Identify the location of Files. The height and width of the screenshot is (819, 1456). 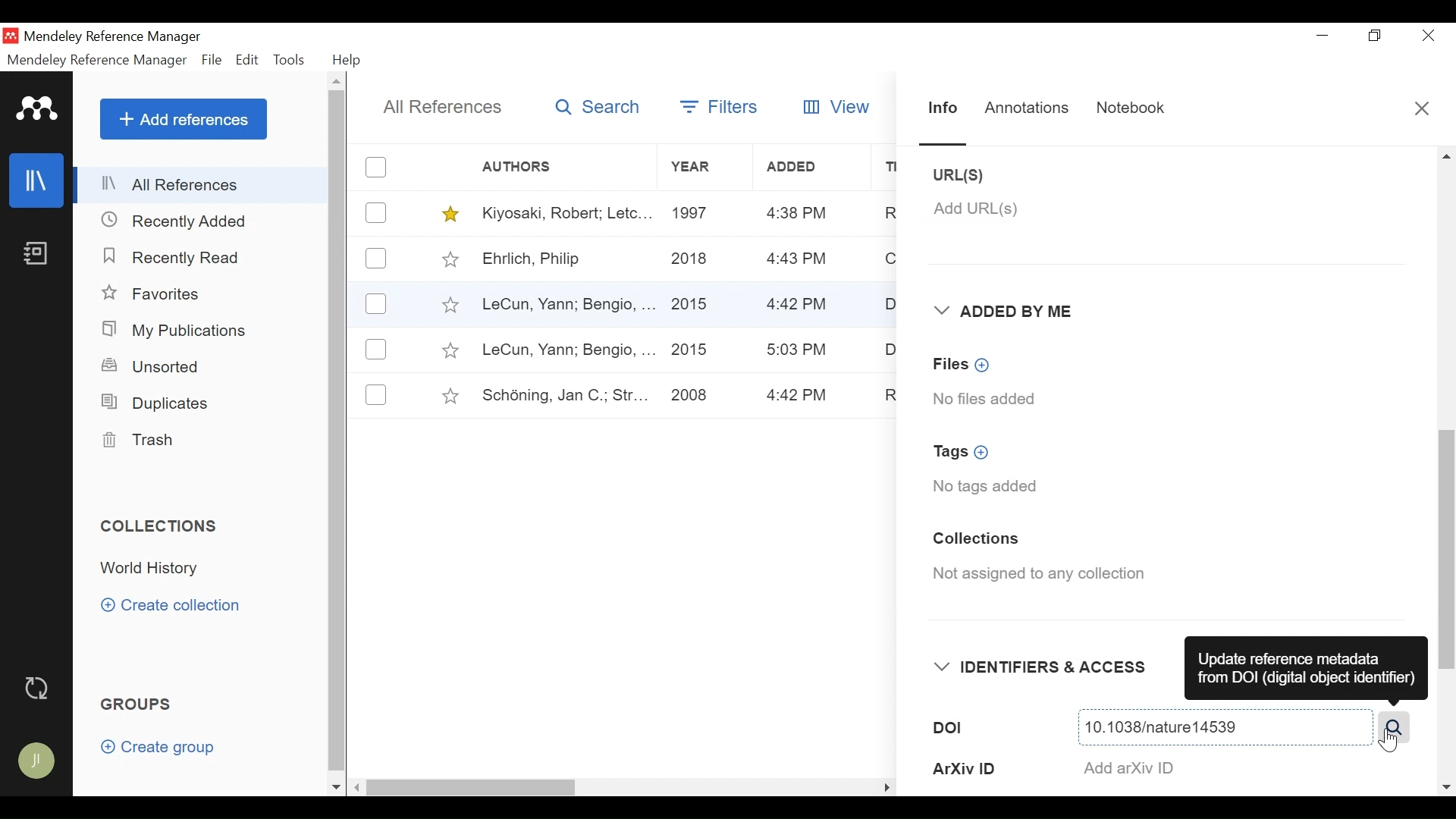
(965, 364).